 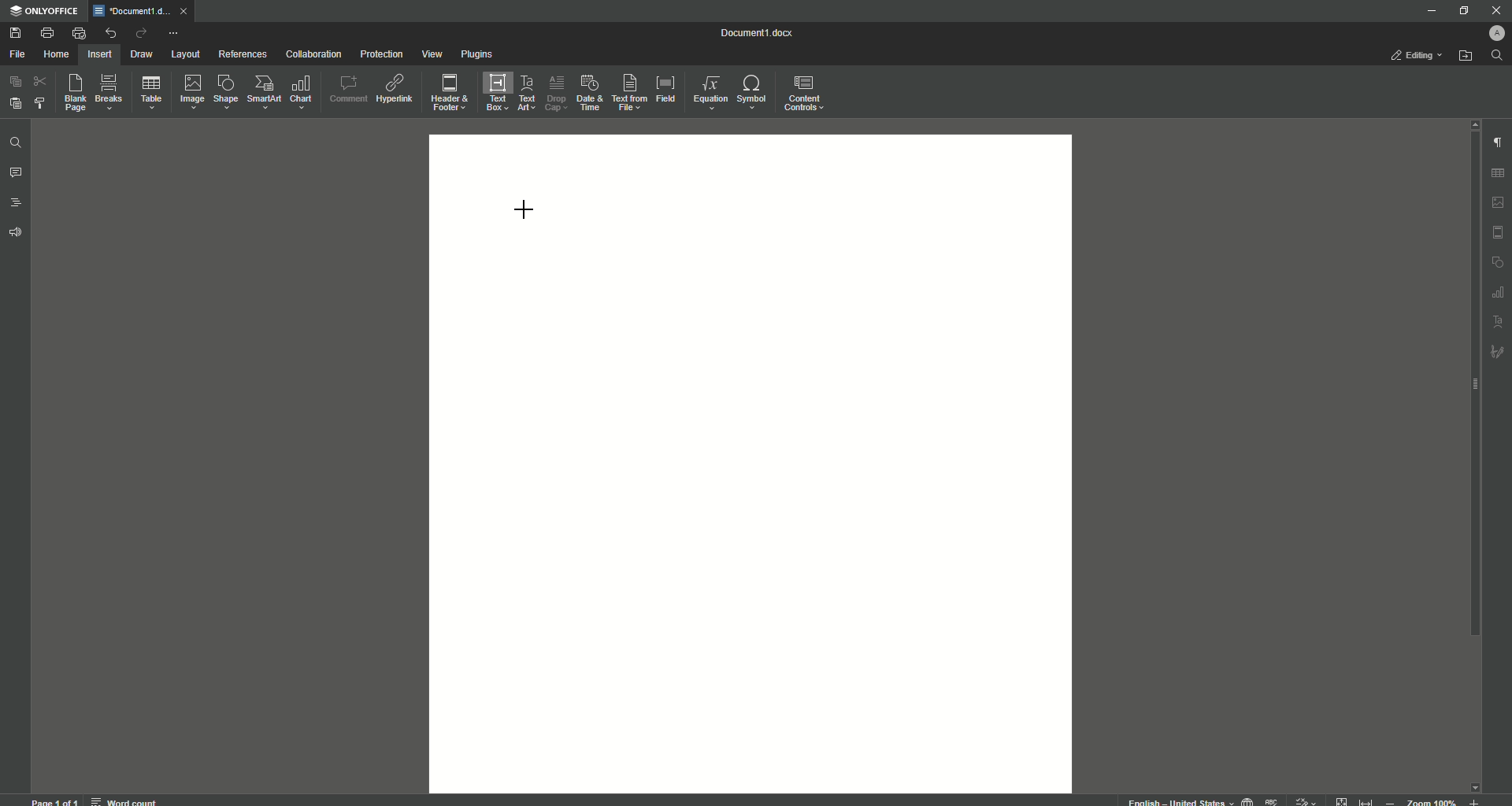 What do you see at coordinates (396, 89) in the screenshot?
I see `Hyperlink` at bounding box center [396, 89].